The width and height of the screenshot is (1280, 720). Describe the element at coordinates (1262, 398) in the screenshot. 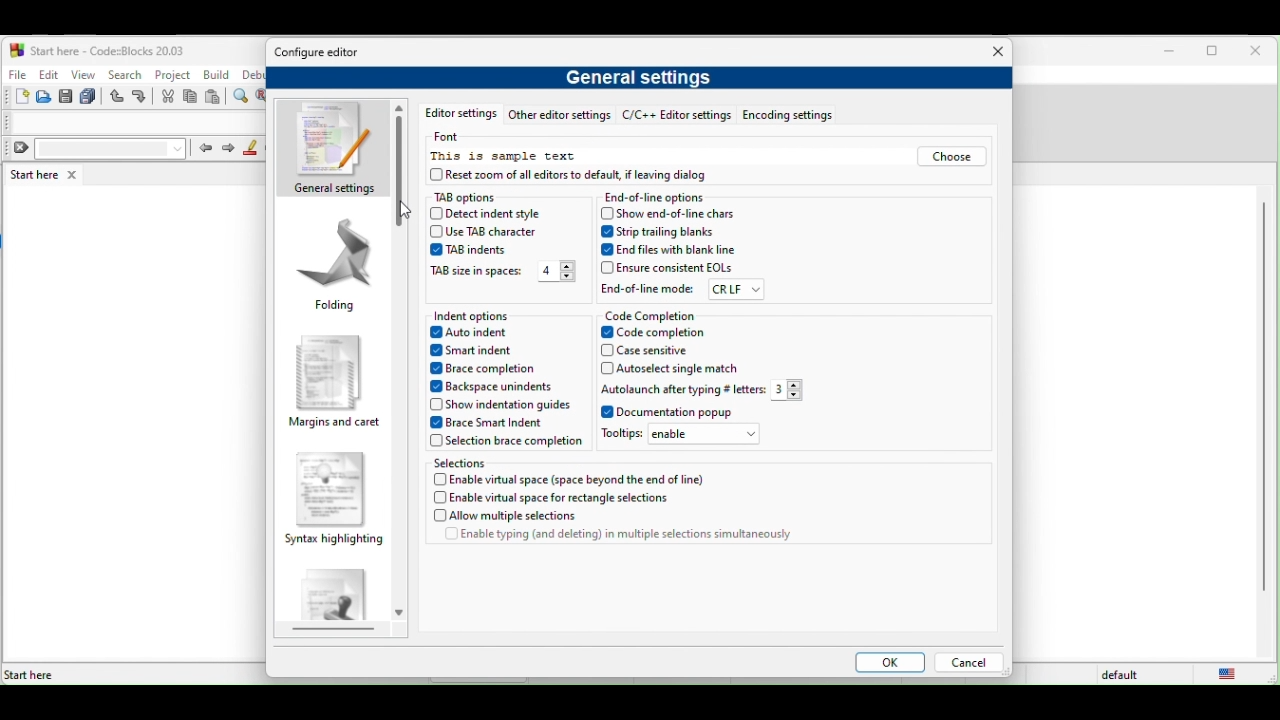

I see `vertical scroll bar` at that location.